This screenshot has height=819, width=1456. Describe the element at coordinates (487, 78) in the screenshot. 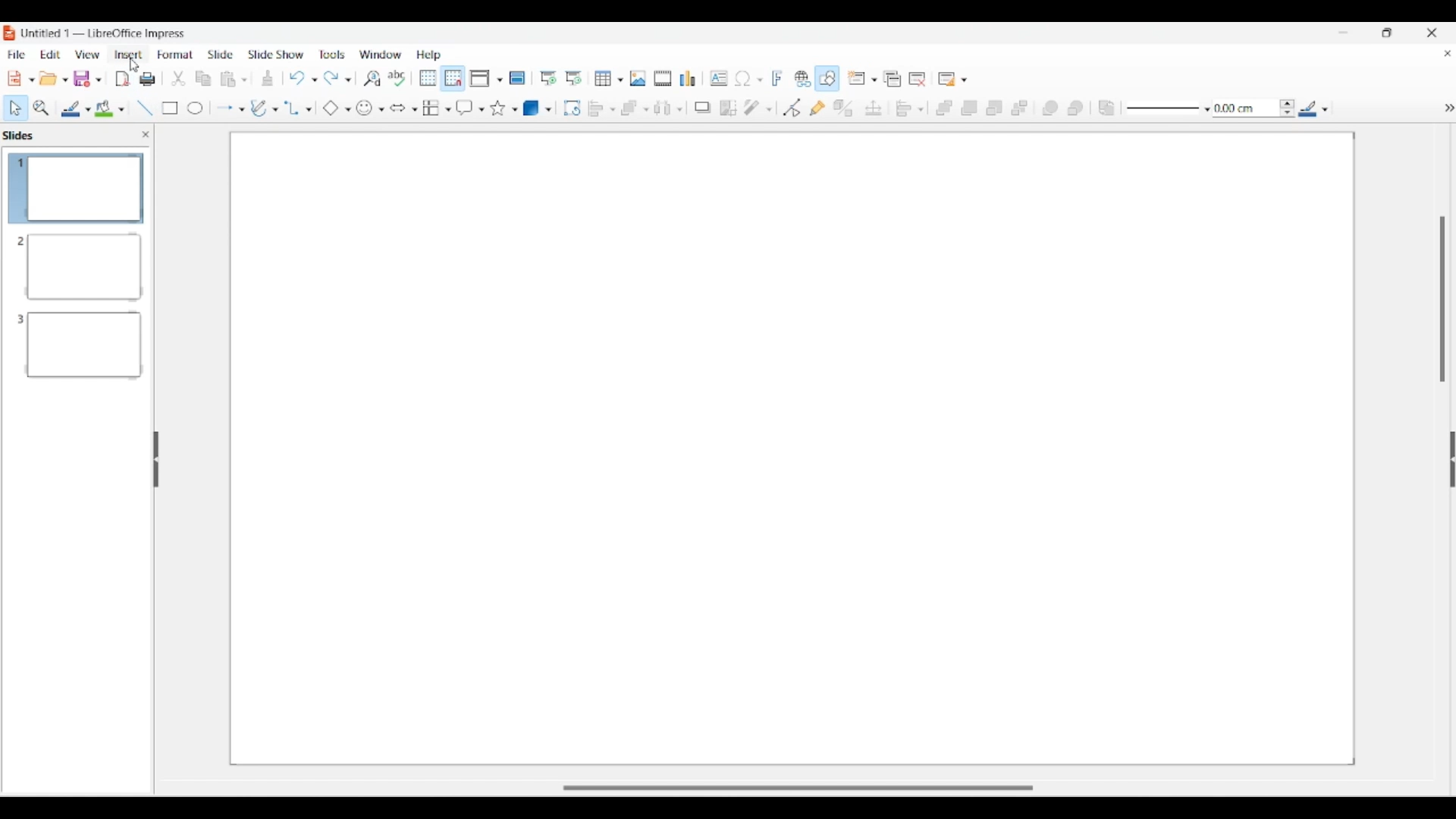

I see `Display view options` at that location.